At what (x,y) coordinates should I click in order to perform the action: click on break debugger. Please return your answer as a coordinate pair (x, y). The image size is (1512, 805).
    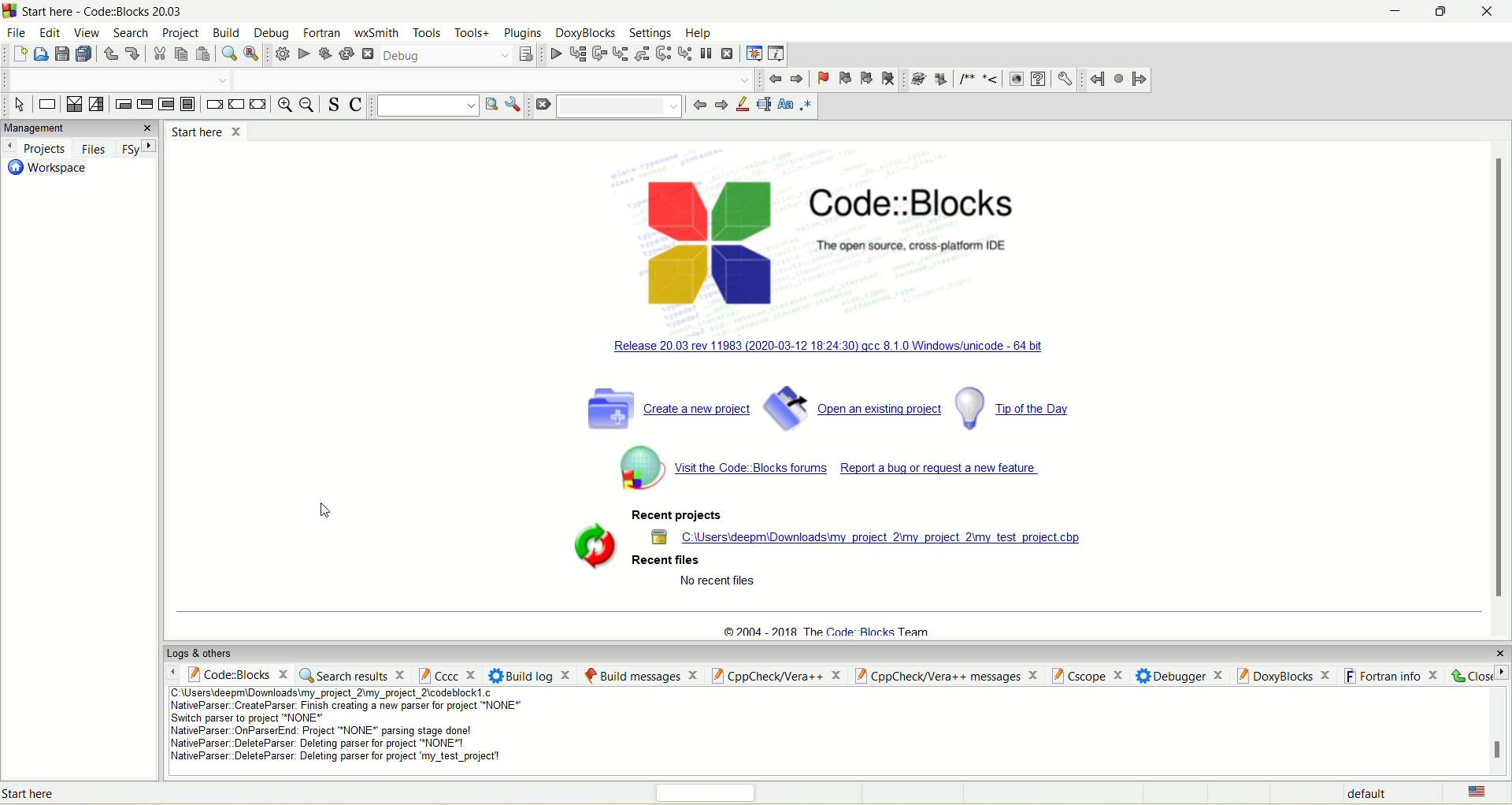
    Looking at the image, I should click on (706, 52).